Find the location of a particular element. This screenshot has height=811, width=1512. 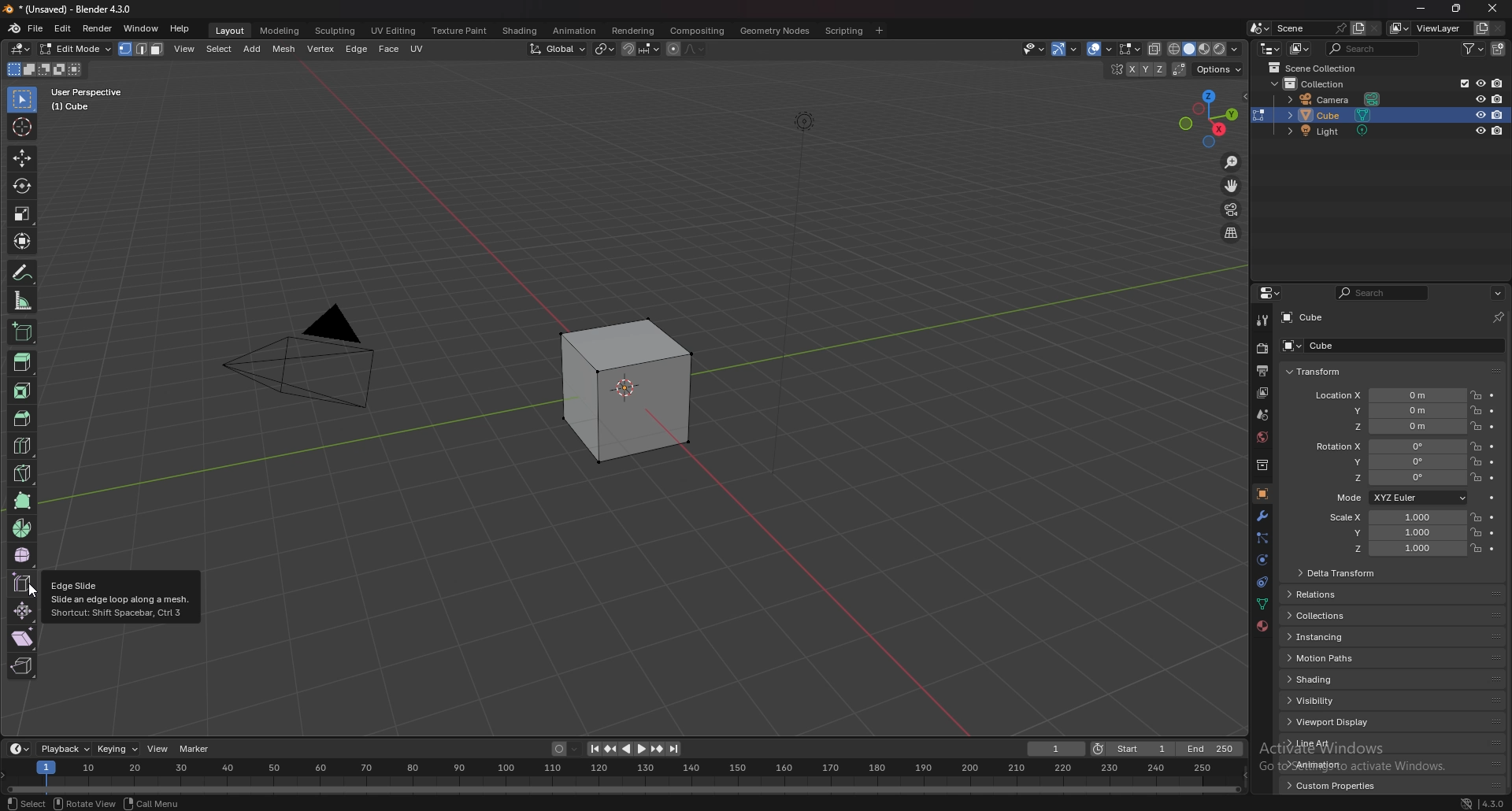

add layer is located at coordinates (1358, 28).